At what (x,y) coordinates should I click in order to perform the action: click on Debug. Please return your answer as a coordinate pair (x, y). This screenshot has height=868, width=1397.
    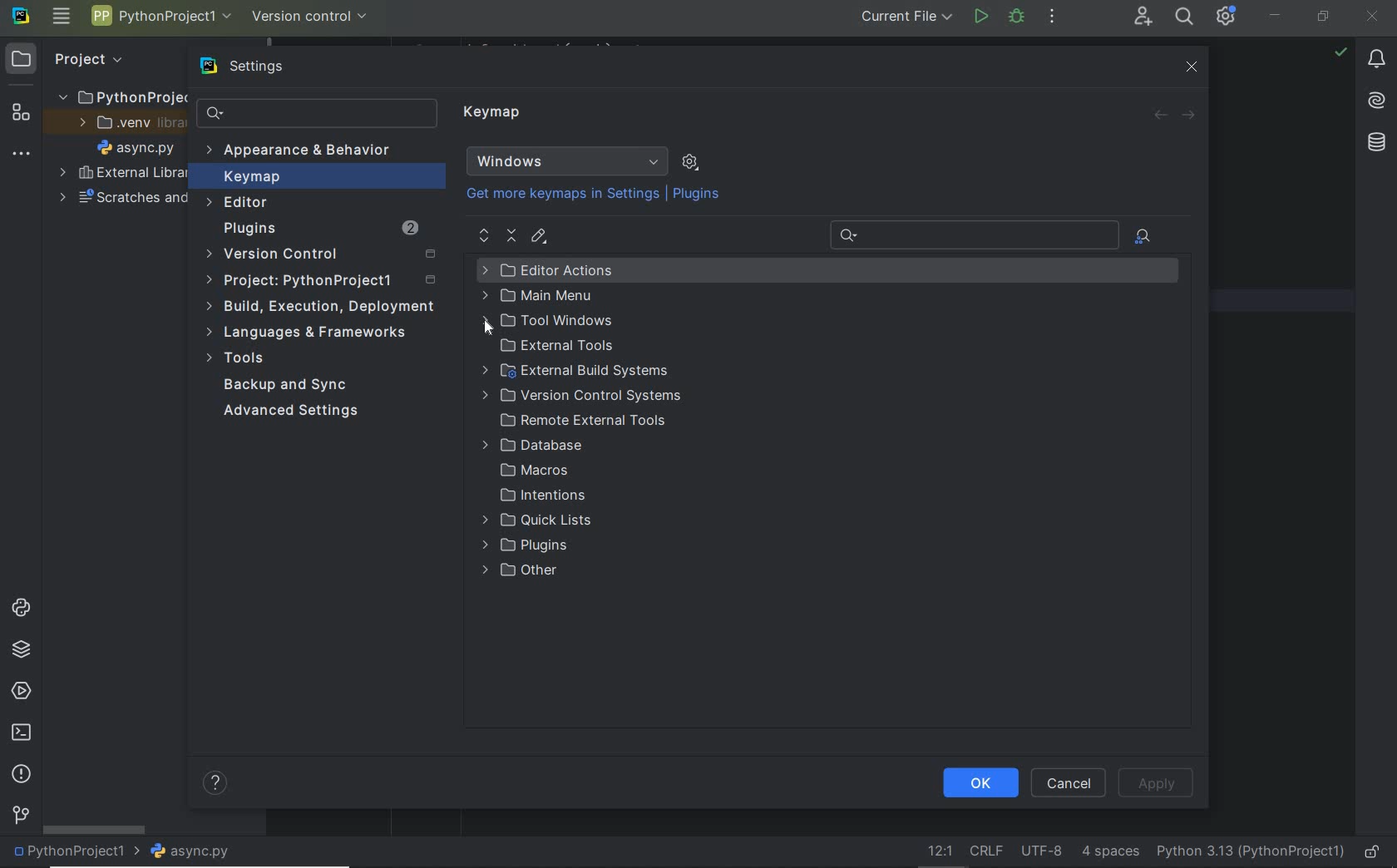
    Looking at the image, I should click on (1017, 17).